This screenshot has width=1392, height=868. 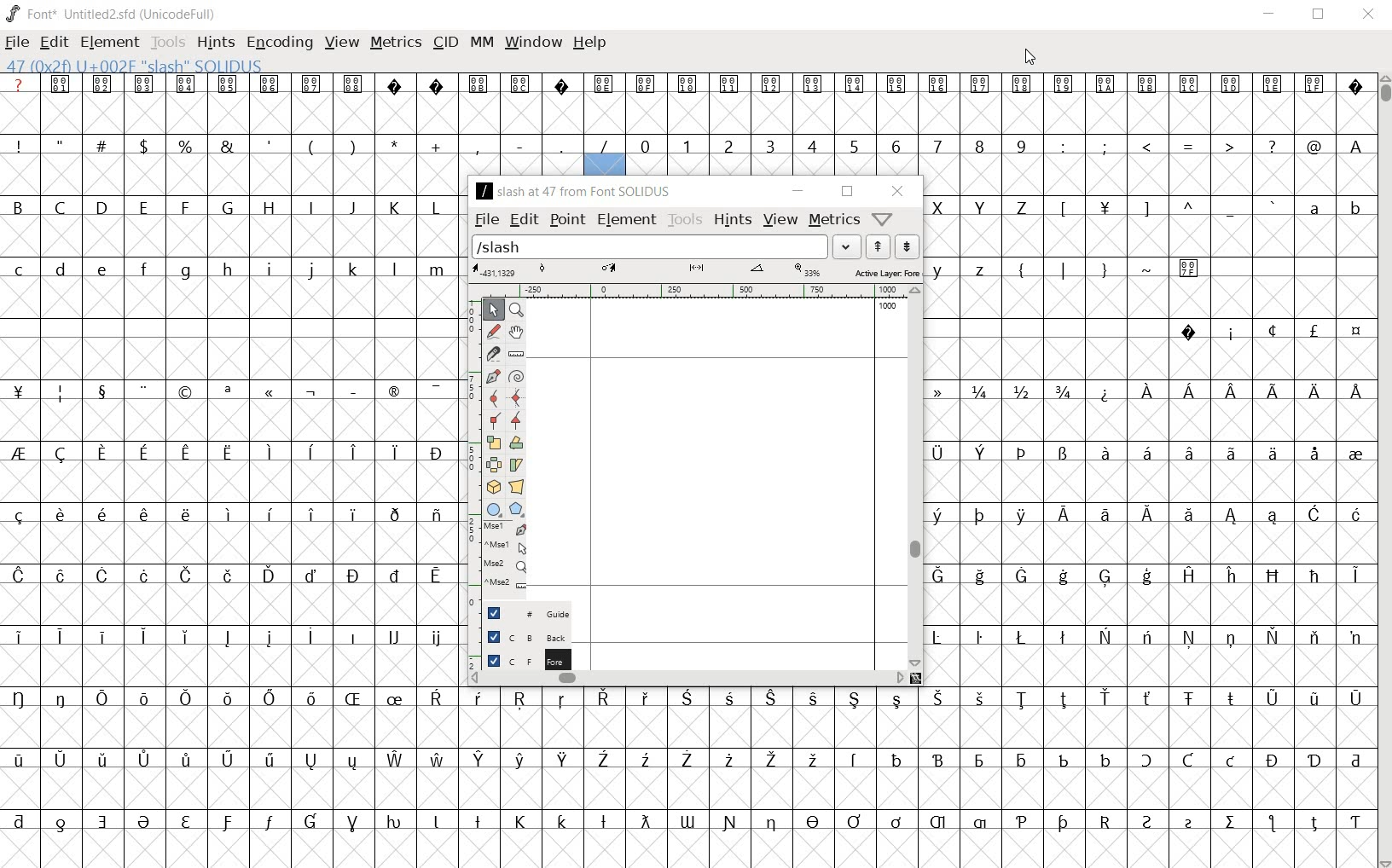 What do you see at coordinates (491, 420) in the screenshot?
I see `Add a corner point` at bounding box center [491, 420].